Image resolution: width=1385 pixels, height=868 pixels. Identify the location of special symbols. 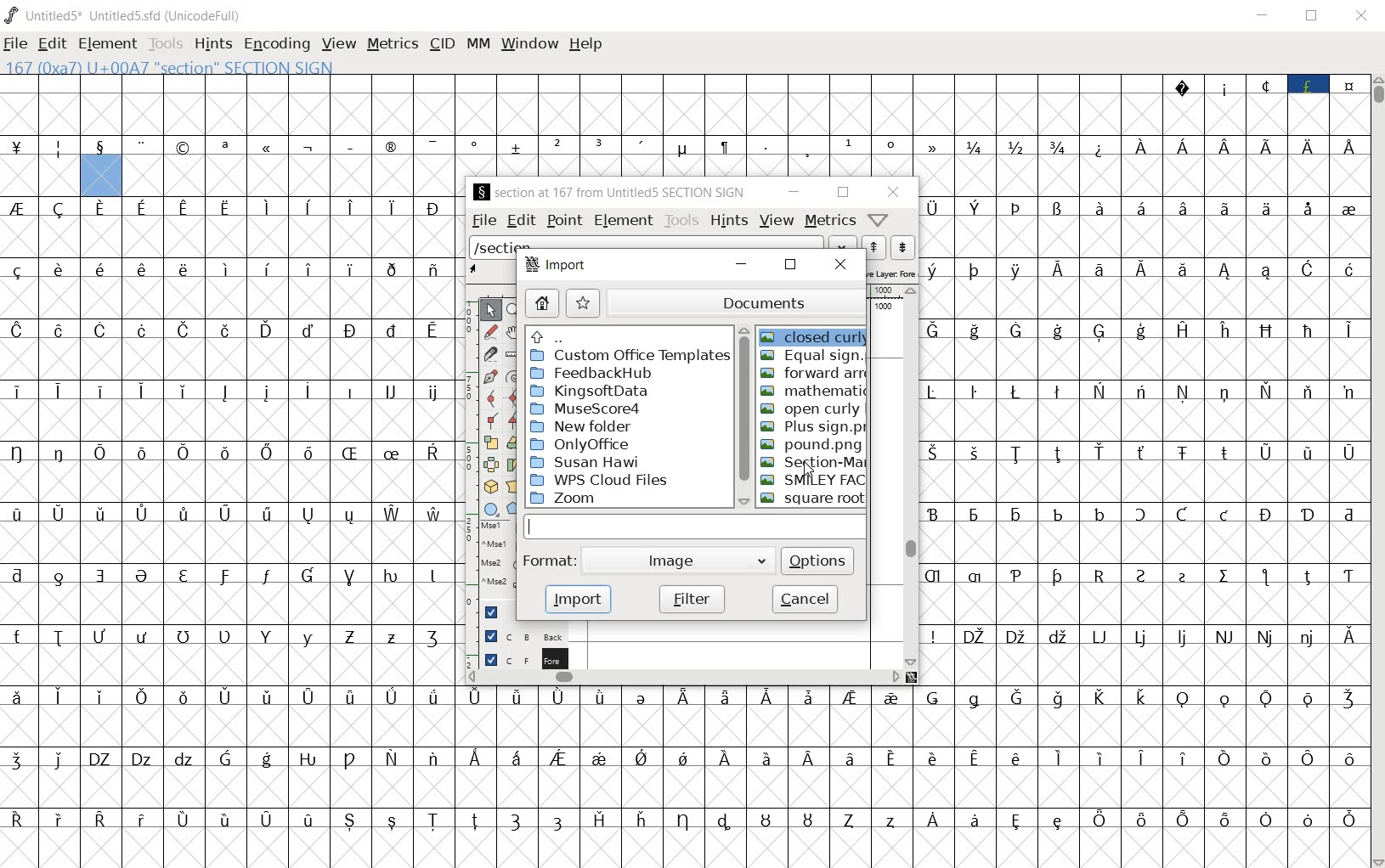
(1263, 82).